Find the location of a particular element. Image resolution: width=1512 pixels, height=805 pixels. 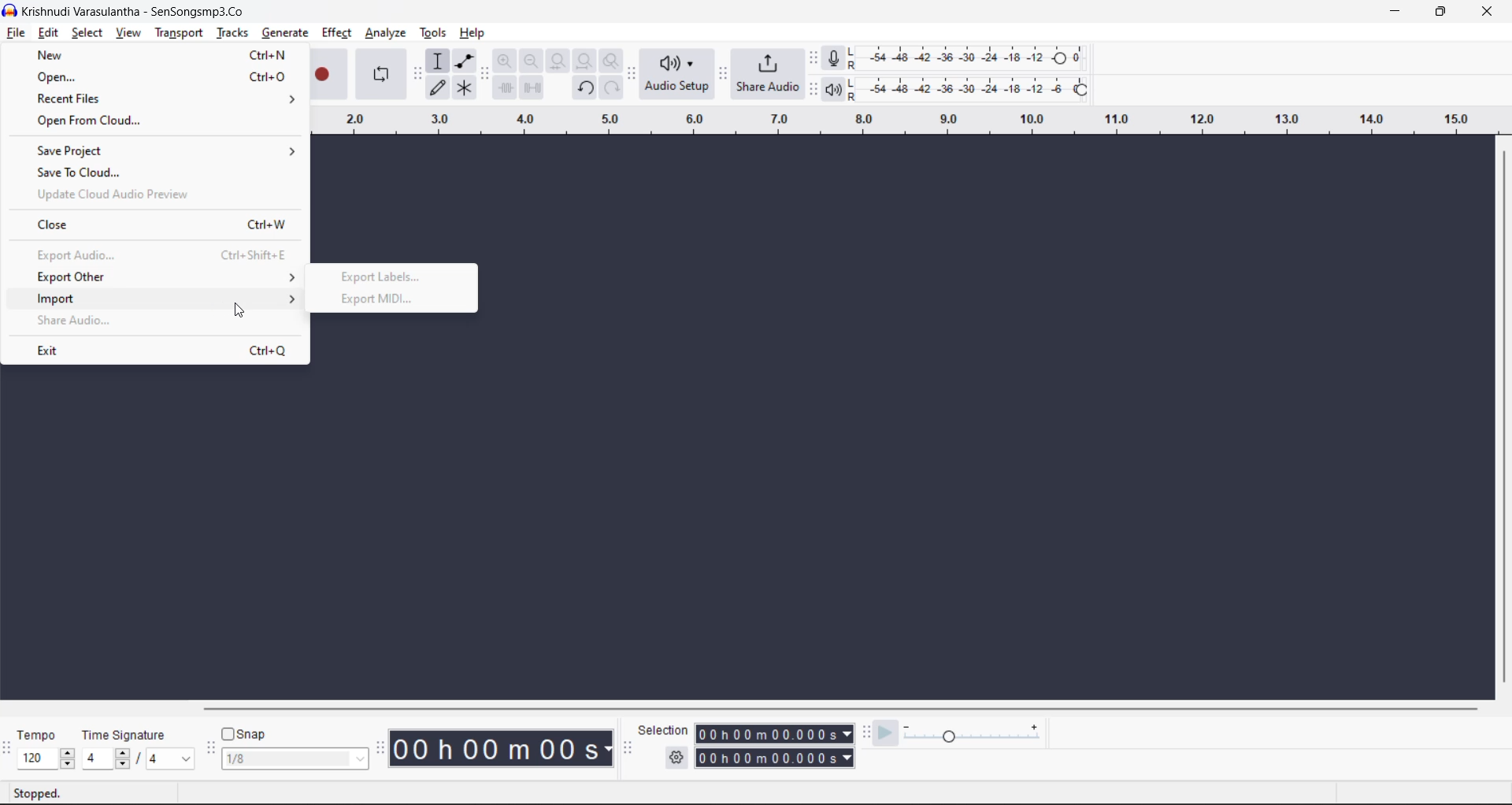

recent files is located at coordinates (169, 98).